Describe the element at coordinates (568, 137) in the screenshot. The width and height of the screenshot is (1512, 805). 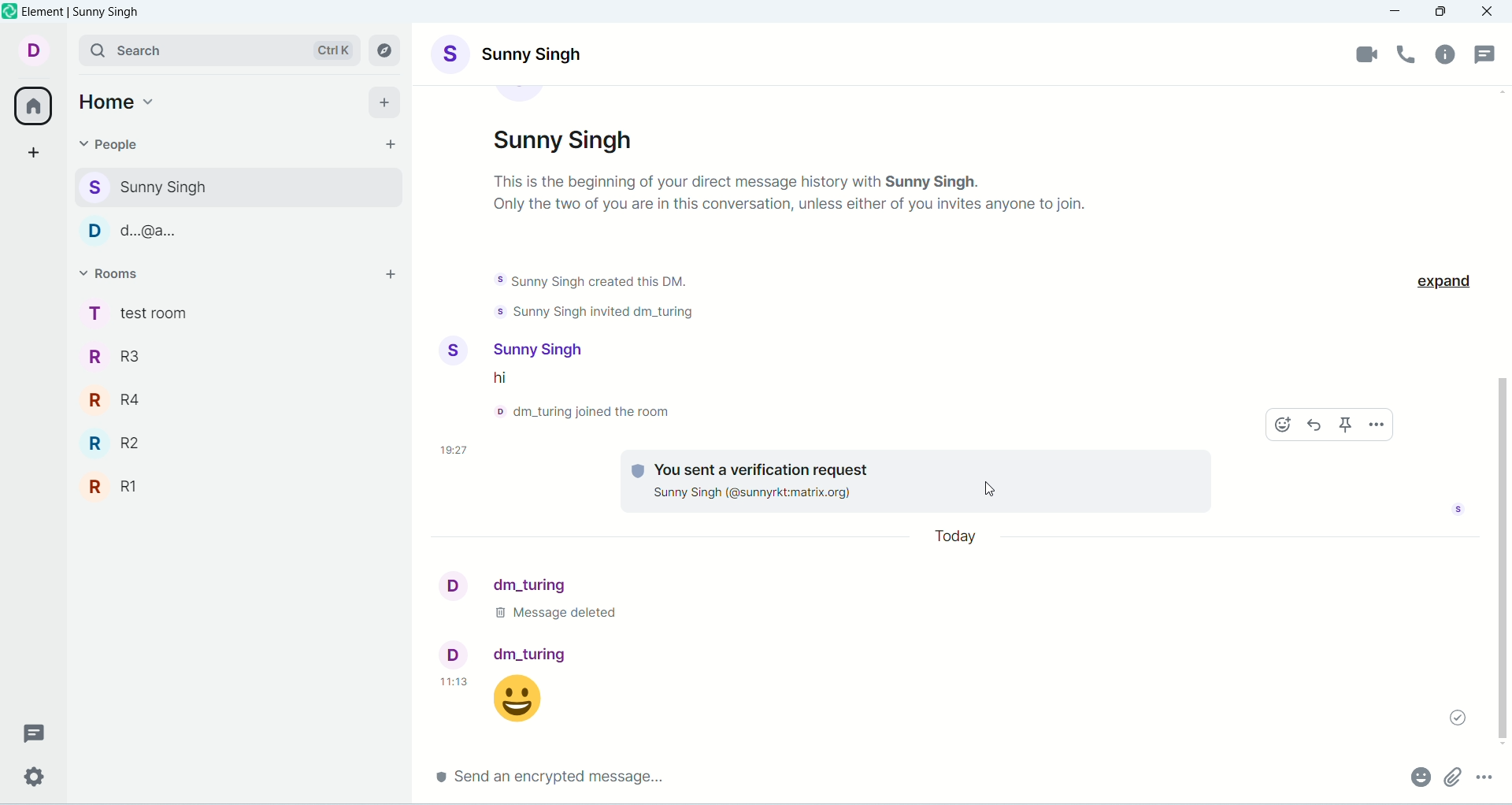
I see `account` at that location.